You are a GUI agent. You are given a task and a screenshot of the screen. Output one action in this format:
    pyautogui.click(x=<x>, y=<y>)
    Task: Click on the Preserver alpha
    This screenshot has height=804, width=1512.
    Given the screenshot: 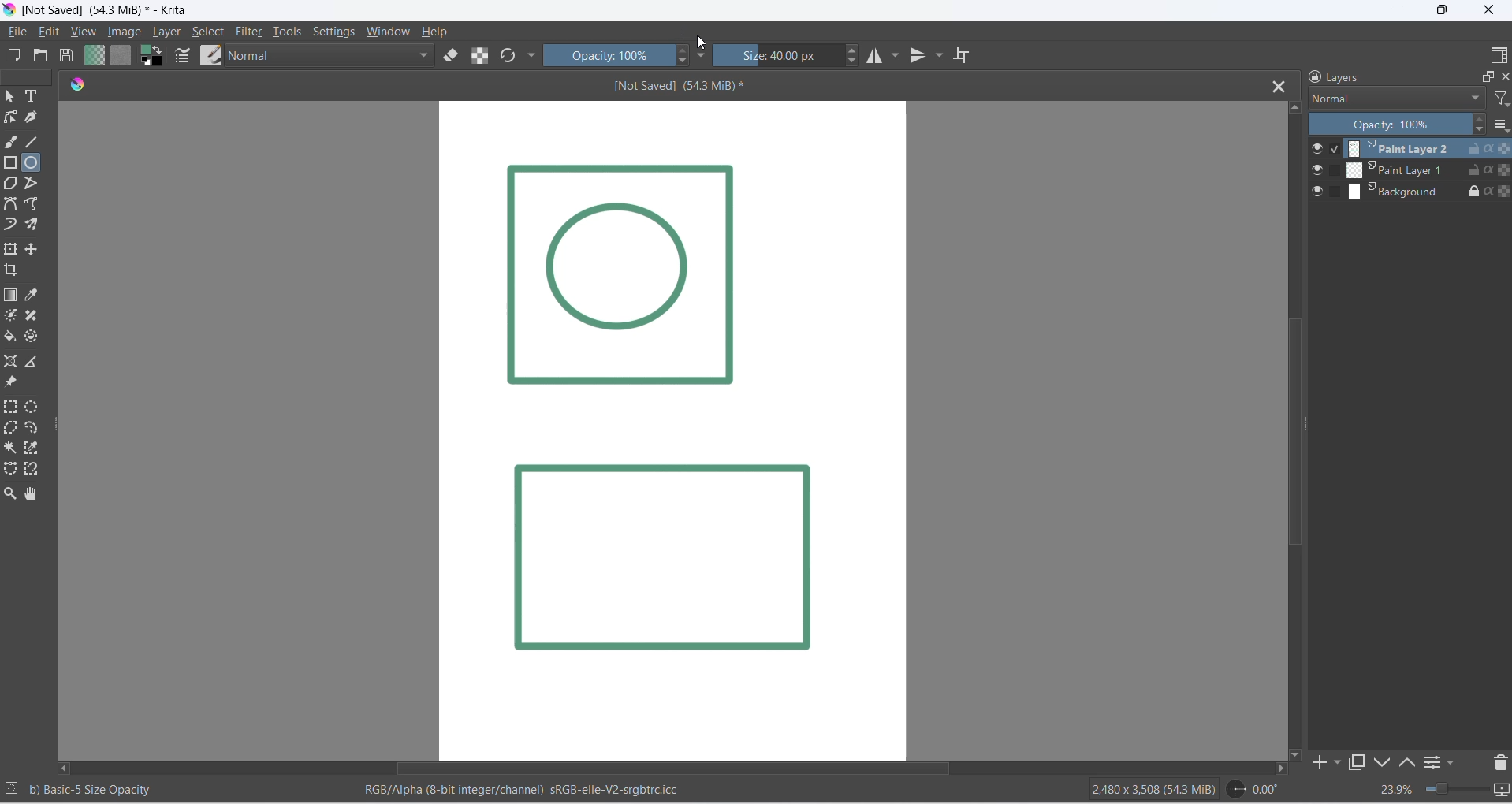 What is the action you would take?
    pyautogui.click(x=1498, y=169)
    